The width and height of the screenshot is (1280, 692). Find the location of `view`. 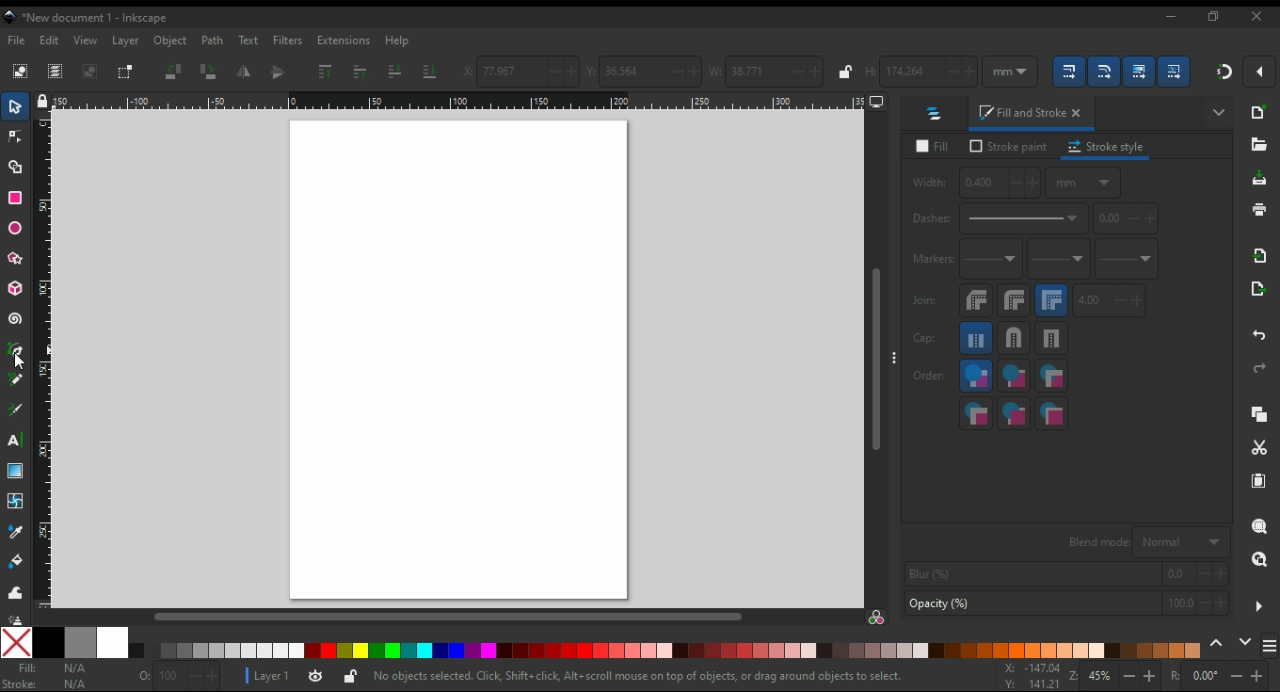

view is located at coordinates (87, 40).